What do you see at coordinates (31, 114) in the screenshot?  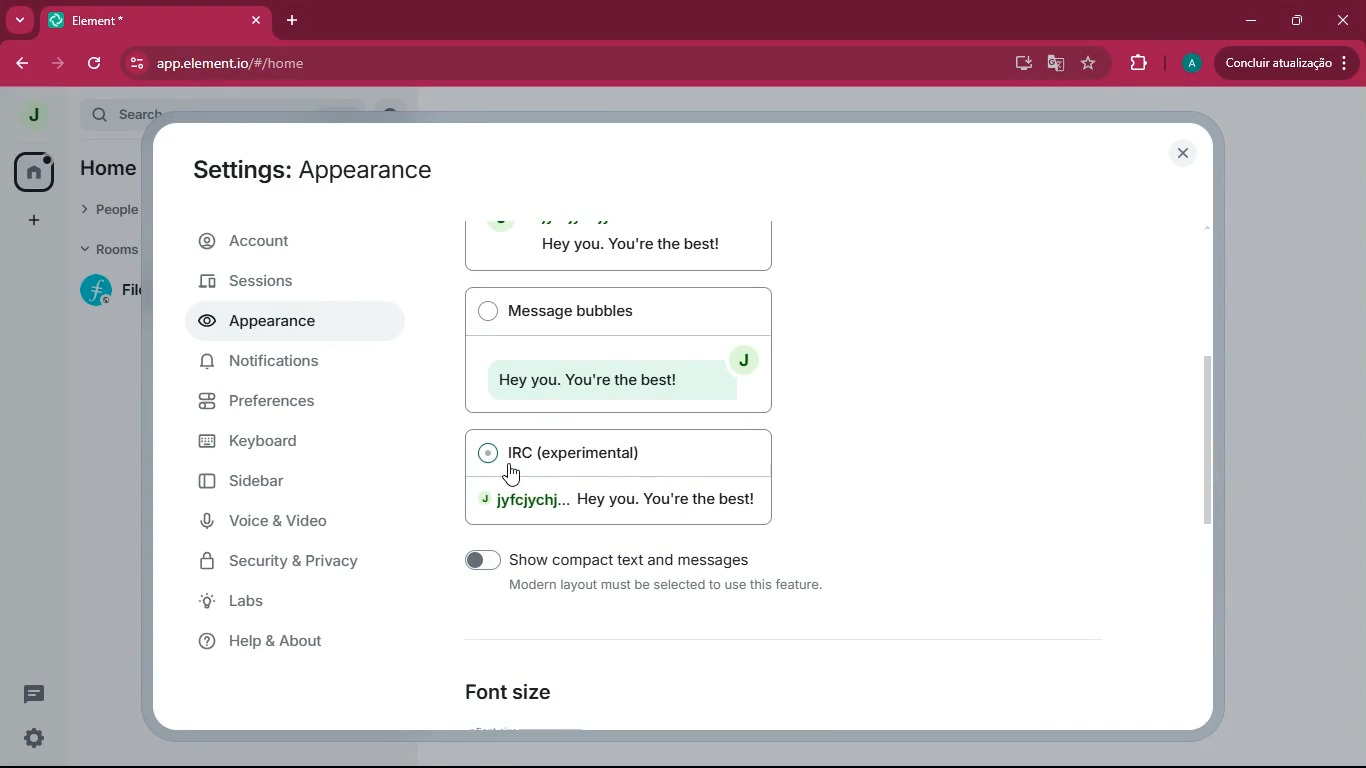 I see `profile picture` at bounding box center [31, 114].